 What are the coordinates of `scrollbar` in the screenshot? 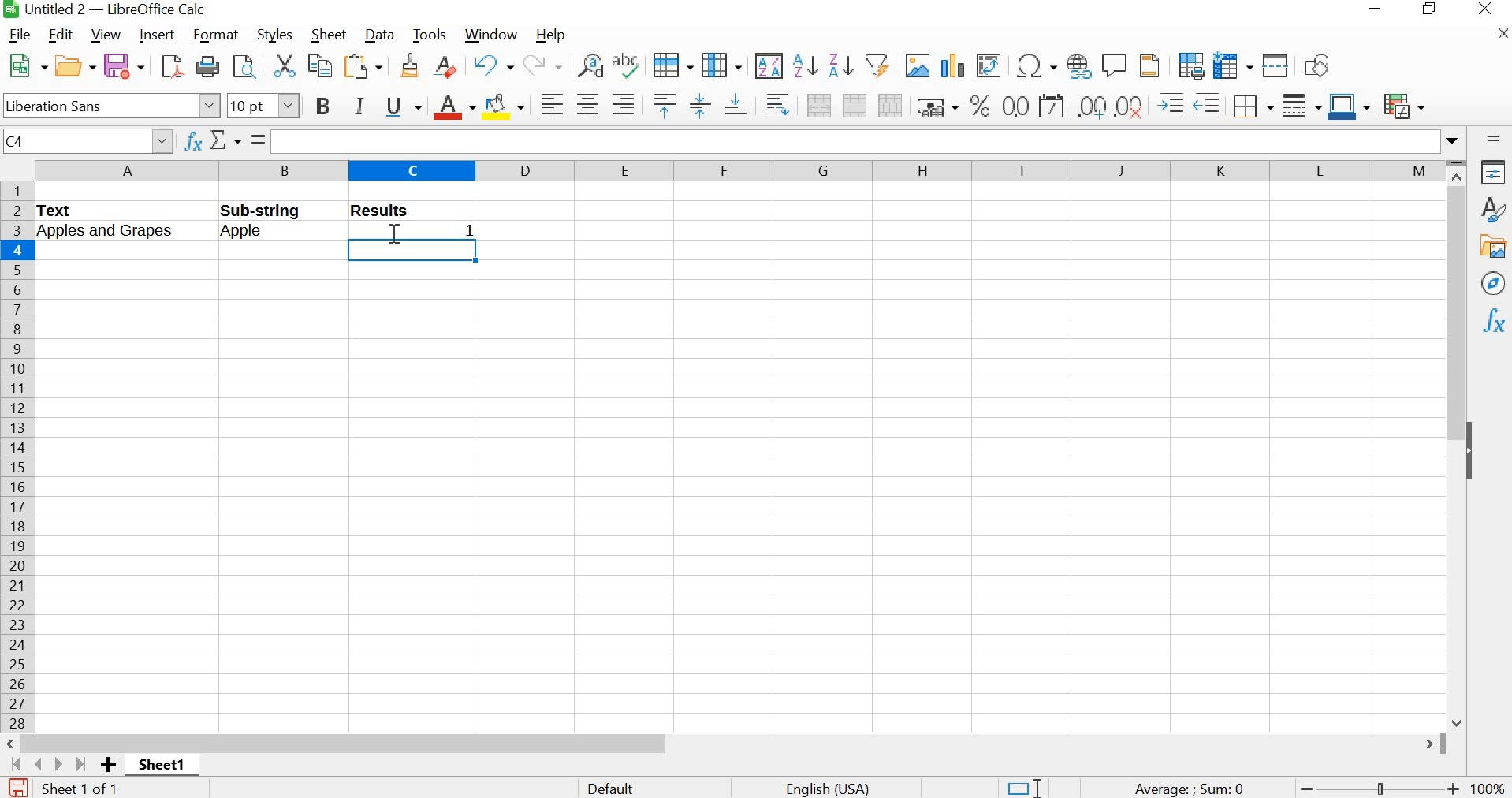 It's located at (1456, 444).